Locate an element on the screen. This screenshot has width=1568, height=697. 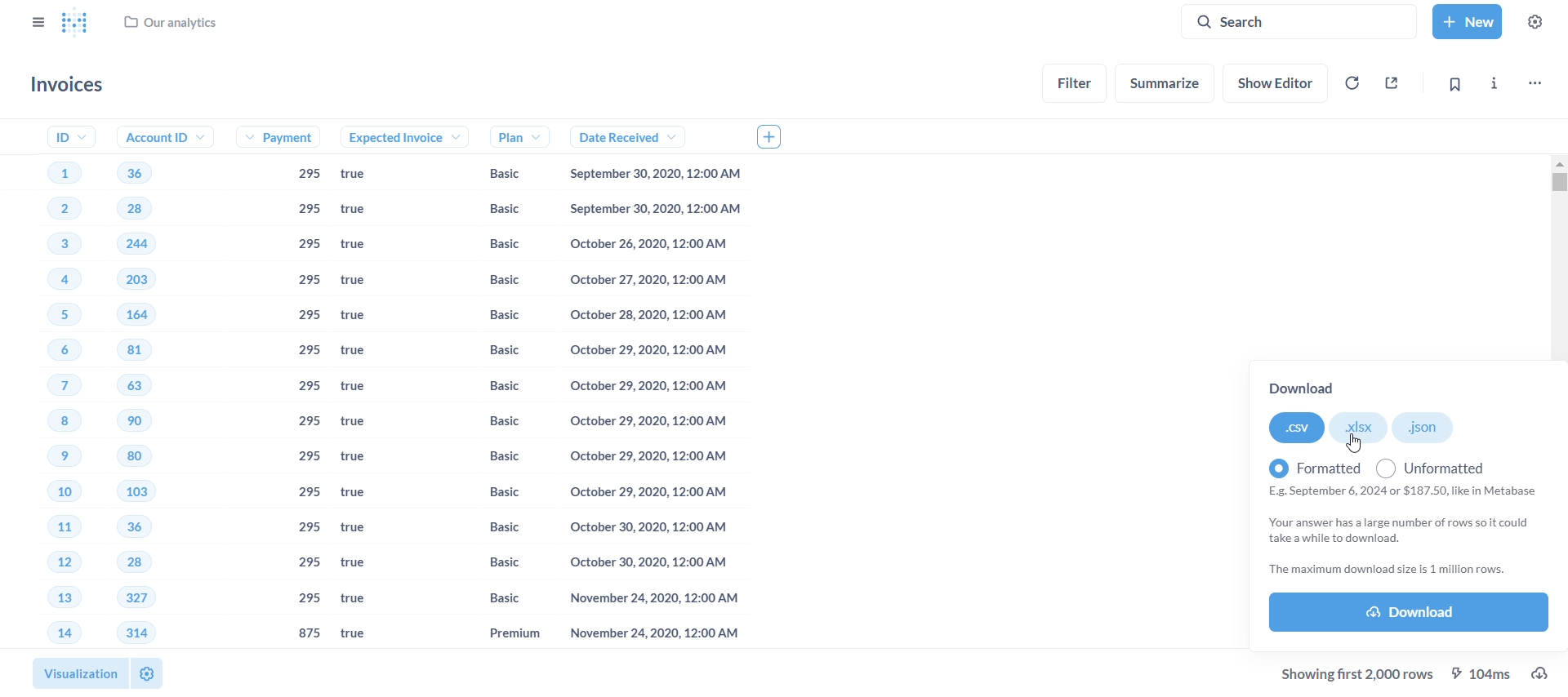
36 is located at coordinates (127, 526).